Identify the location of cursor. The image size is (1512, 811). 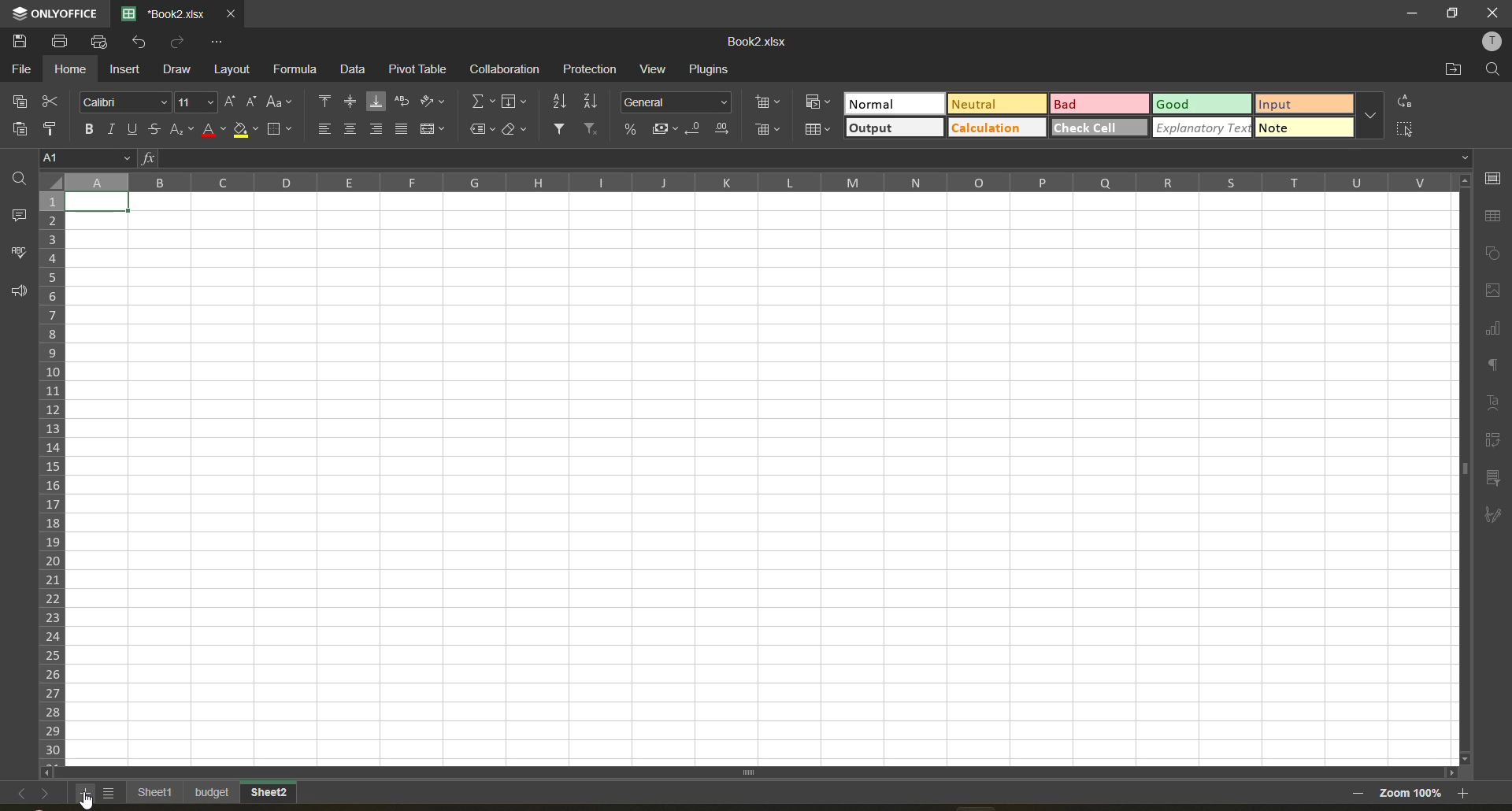
(87, 798).